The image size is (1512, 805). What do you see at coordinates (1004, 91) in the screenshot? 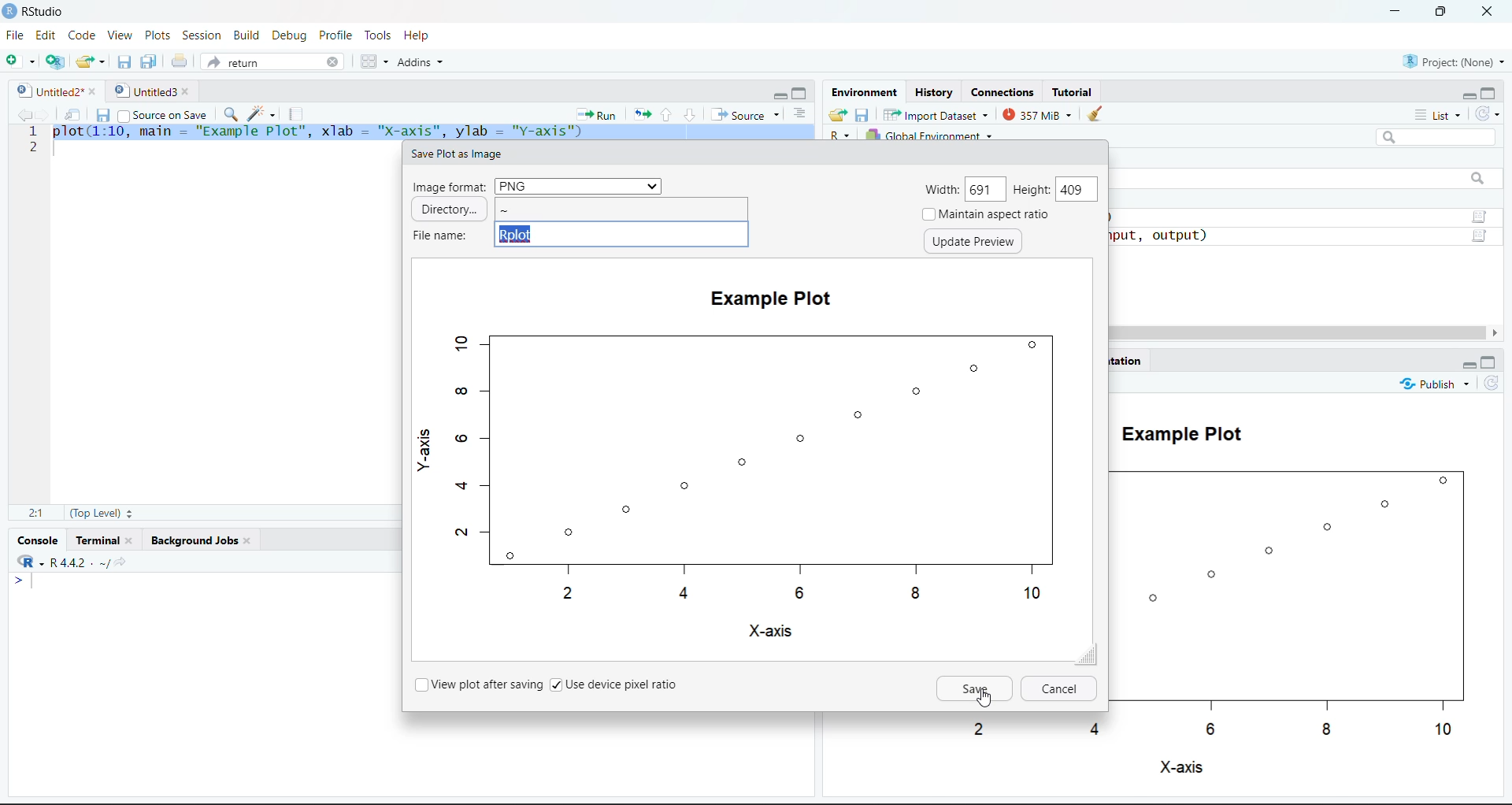
I see `Coordinates` at bounding box center [1004, 91].